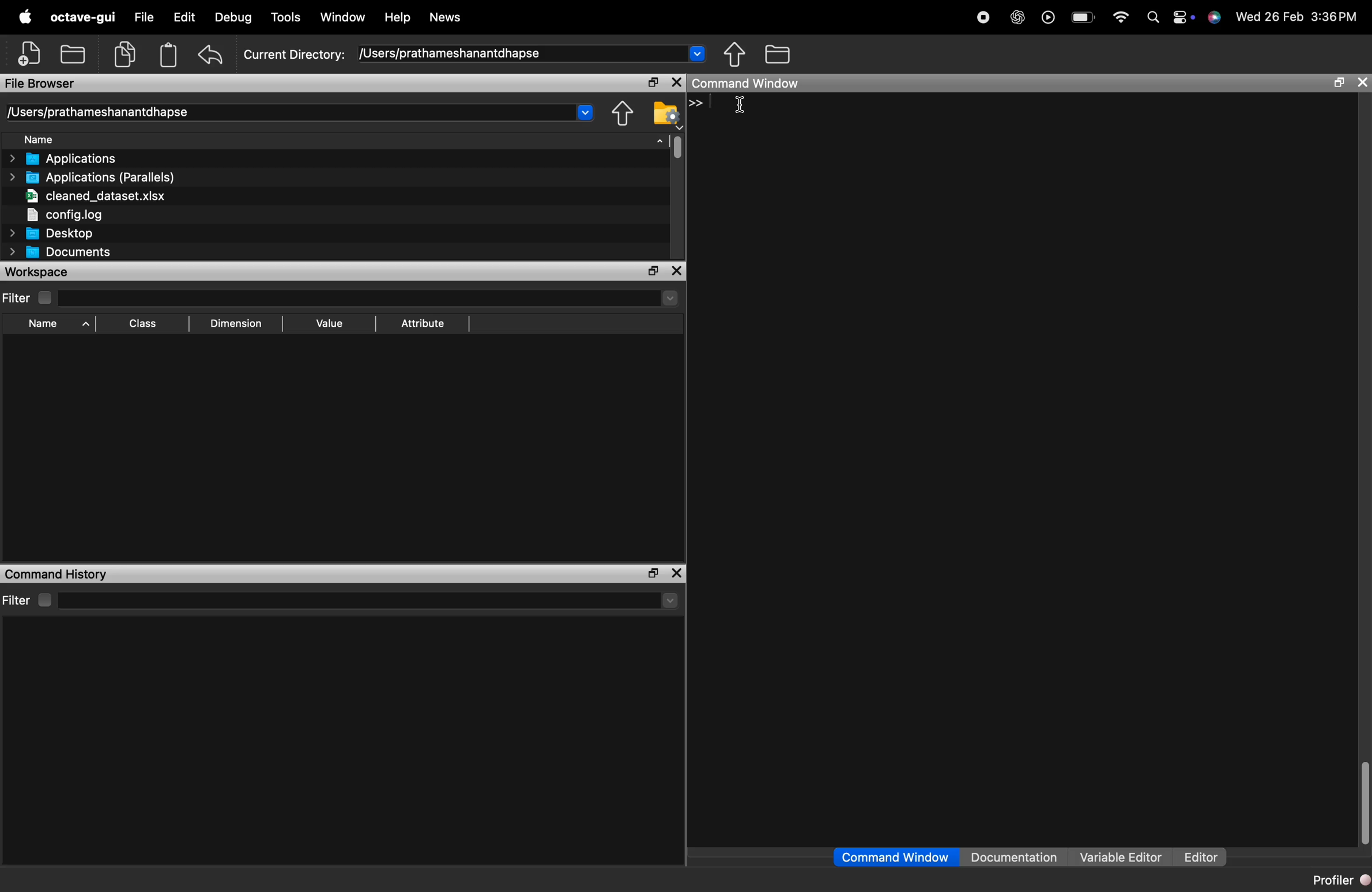 Image resolution: width=1372 pixels, height=892 pixels. I want to click on Tools, so click(285, 18).